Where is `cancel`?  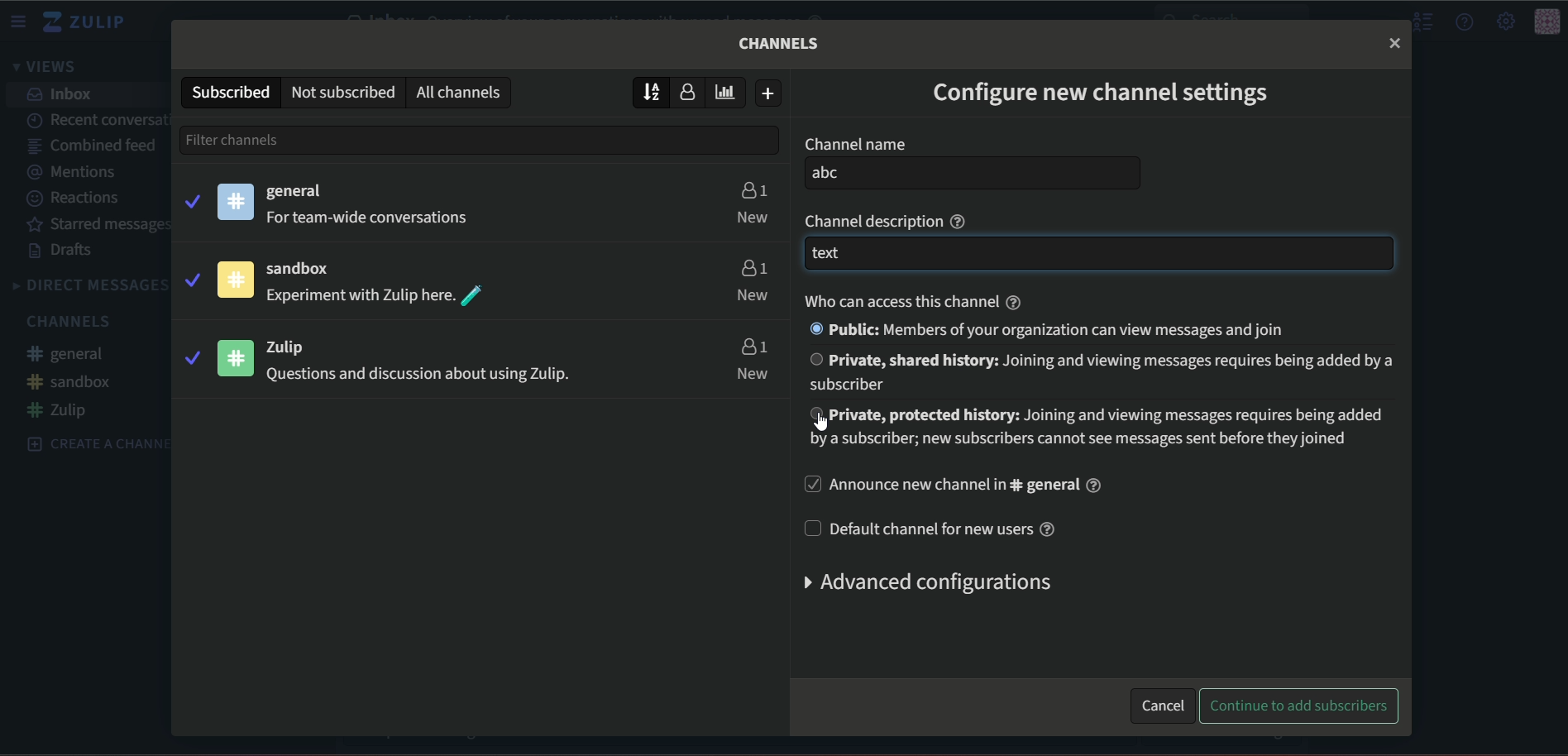 cancel is located at coordinates (1162, 703).